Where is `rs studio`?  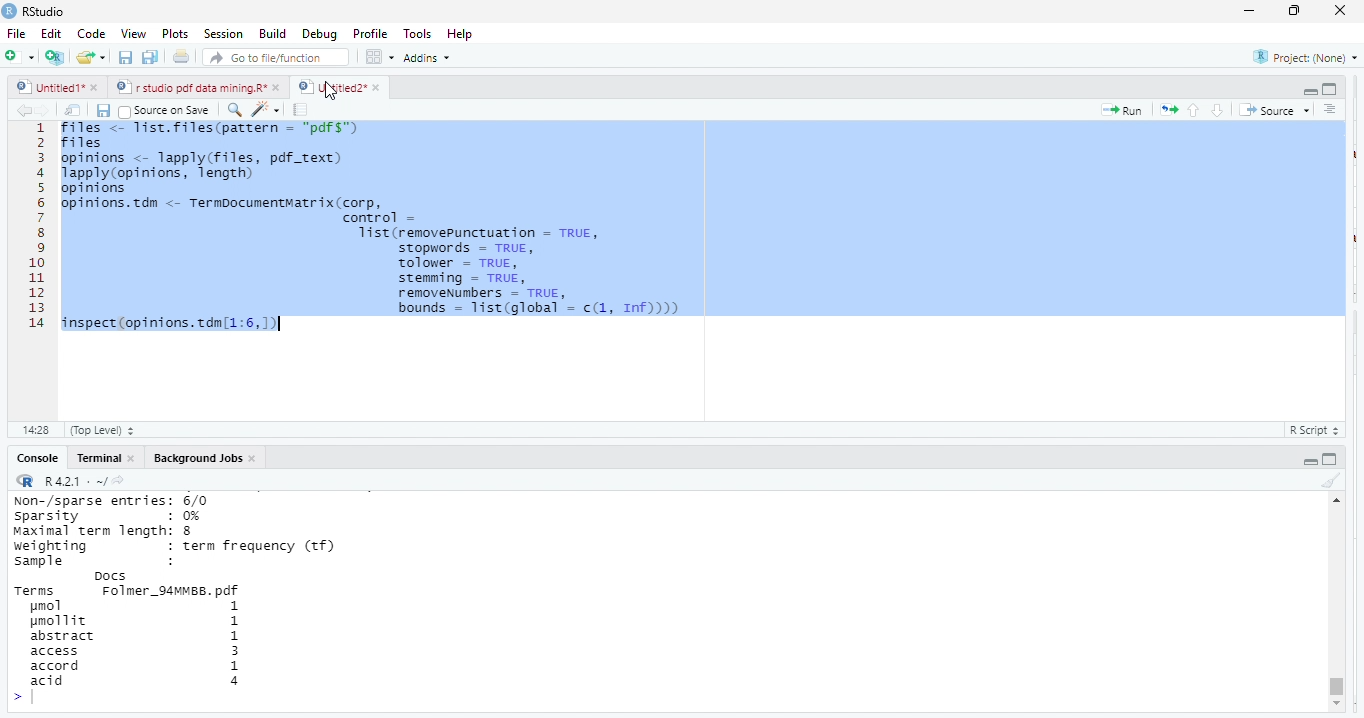 rs studio is located at coordinates (26, 482).